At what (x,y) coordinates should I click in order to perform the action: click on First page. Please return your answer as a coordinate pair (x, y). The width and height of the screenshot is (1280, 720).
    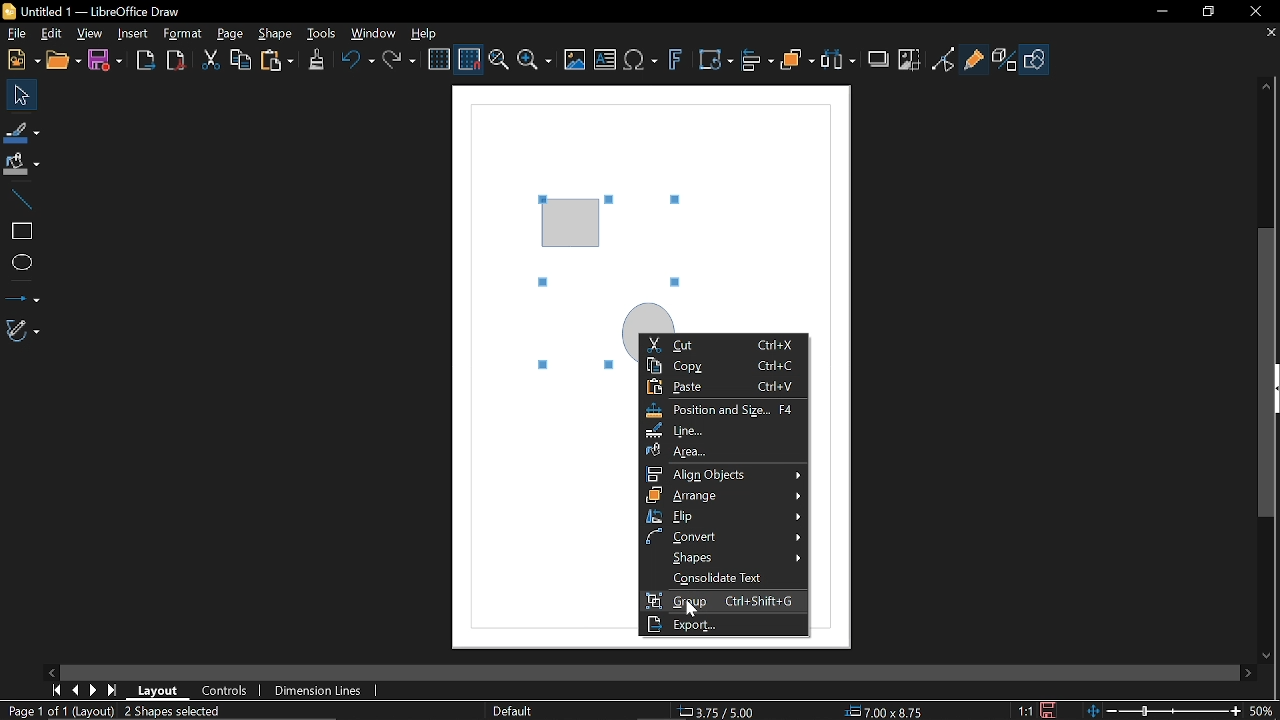
    Looking at the image, I should click on (55, 690).